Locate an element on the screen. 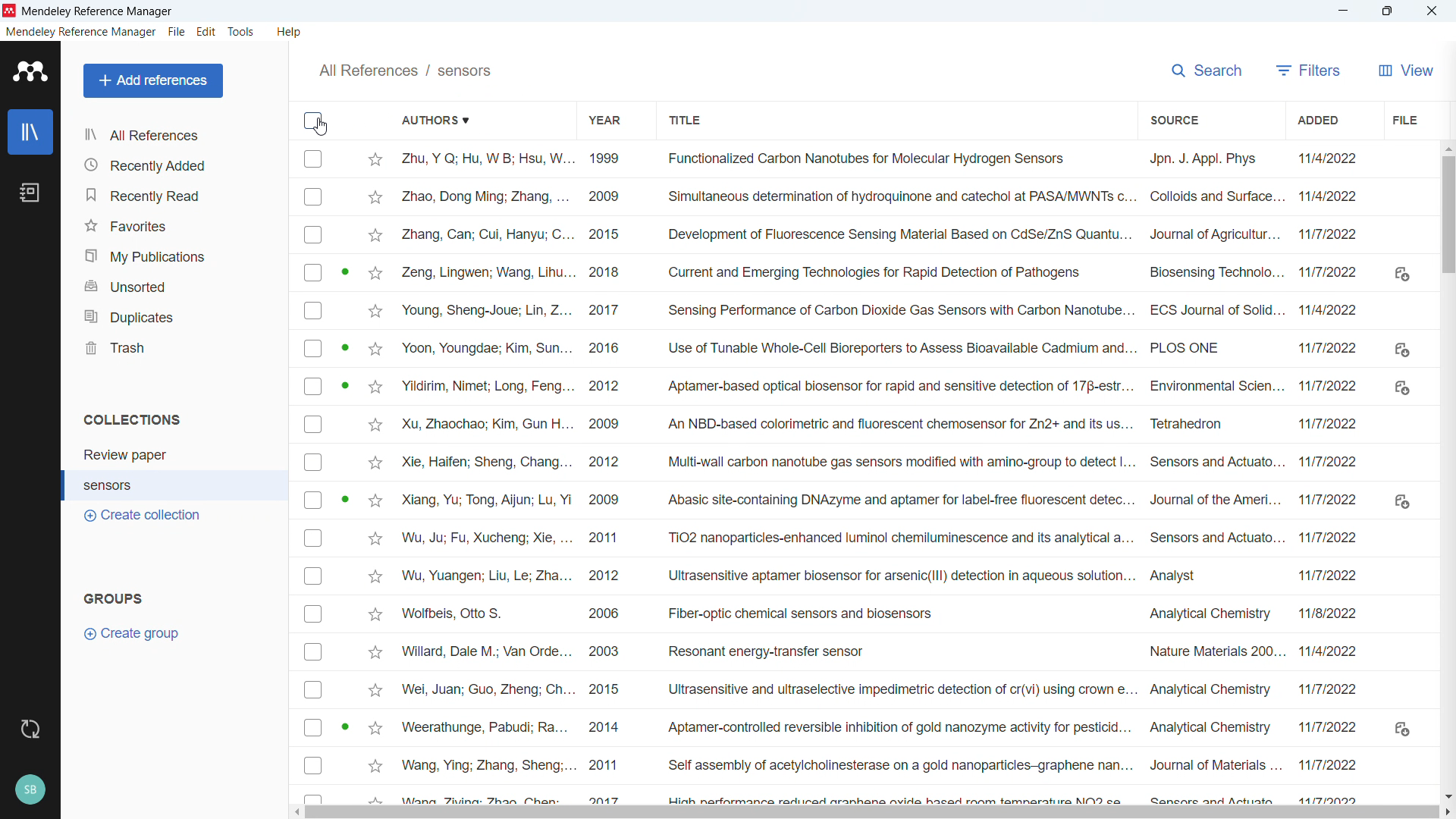  filters is located at coordinates (1309, 71).